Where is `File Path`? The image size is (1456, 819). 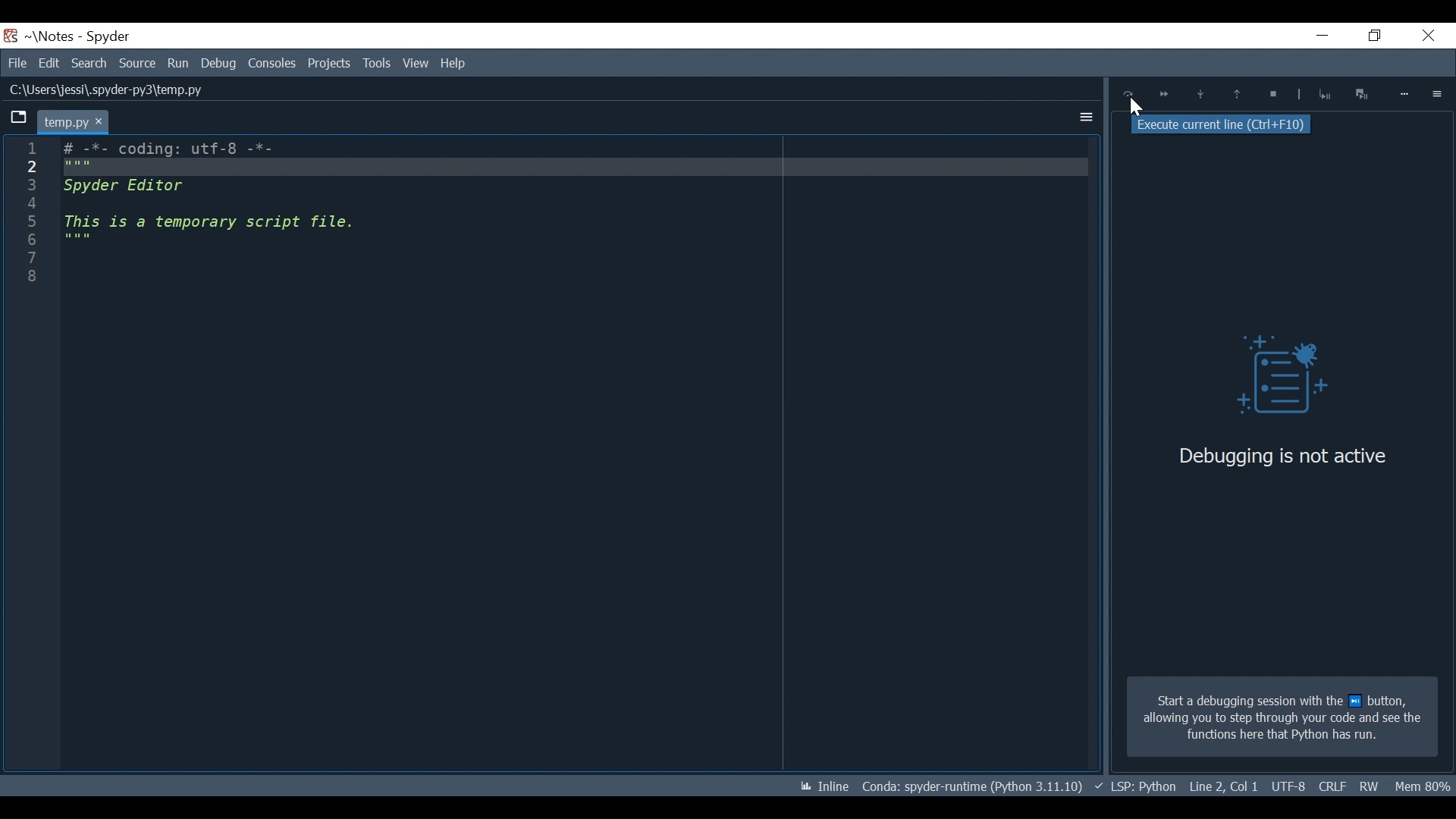
File Path is located at coordinates (103, 90).